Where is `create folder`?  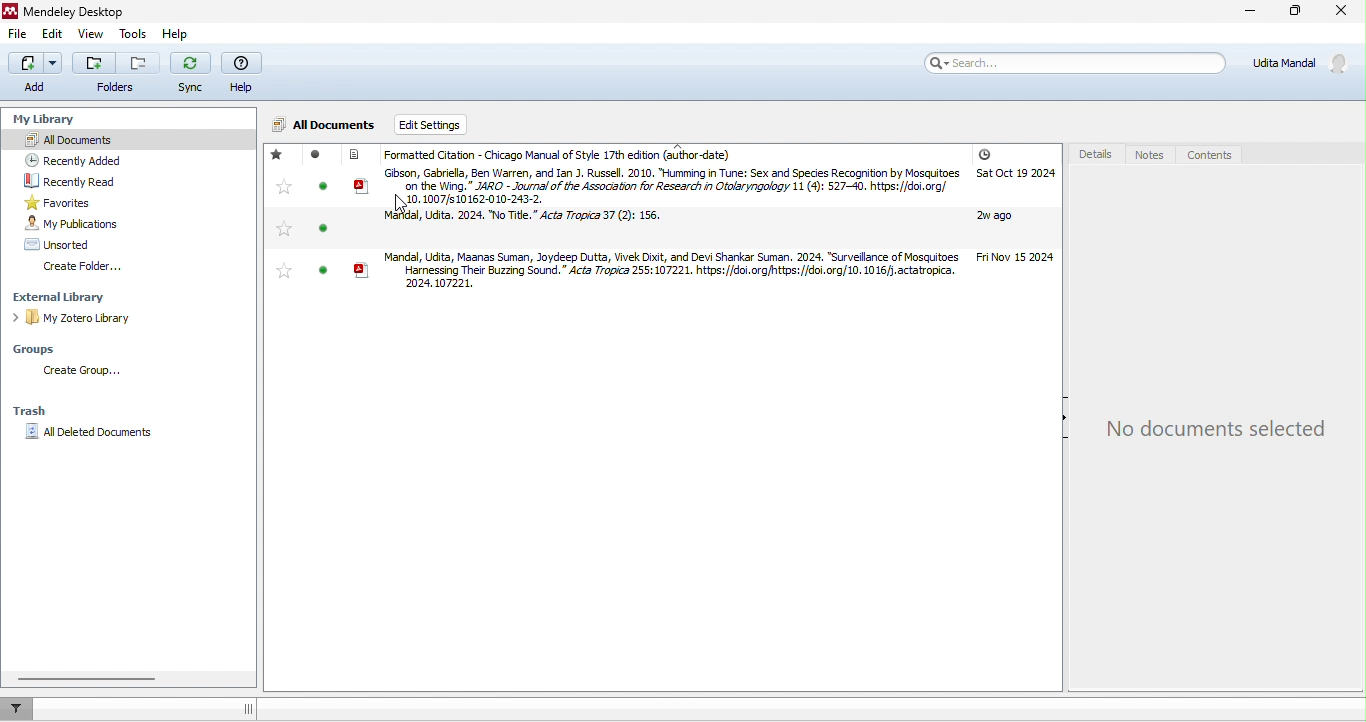 create folder is located at coordinates (85, 269).